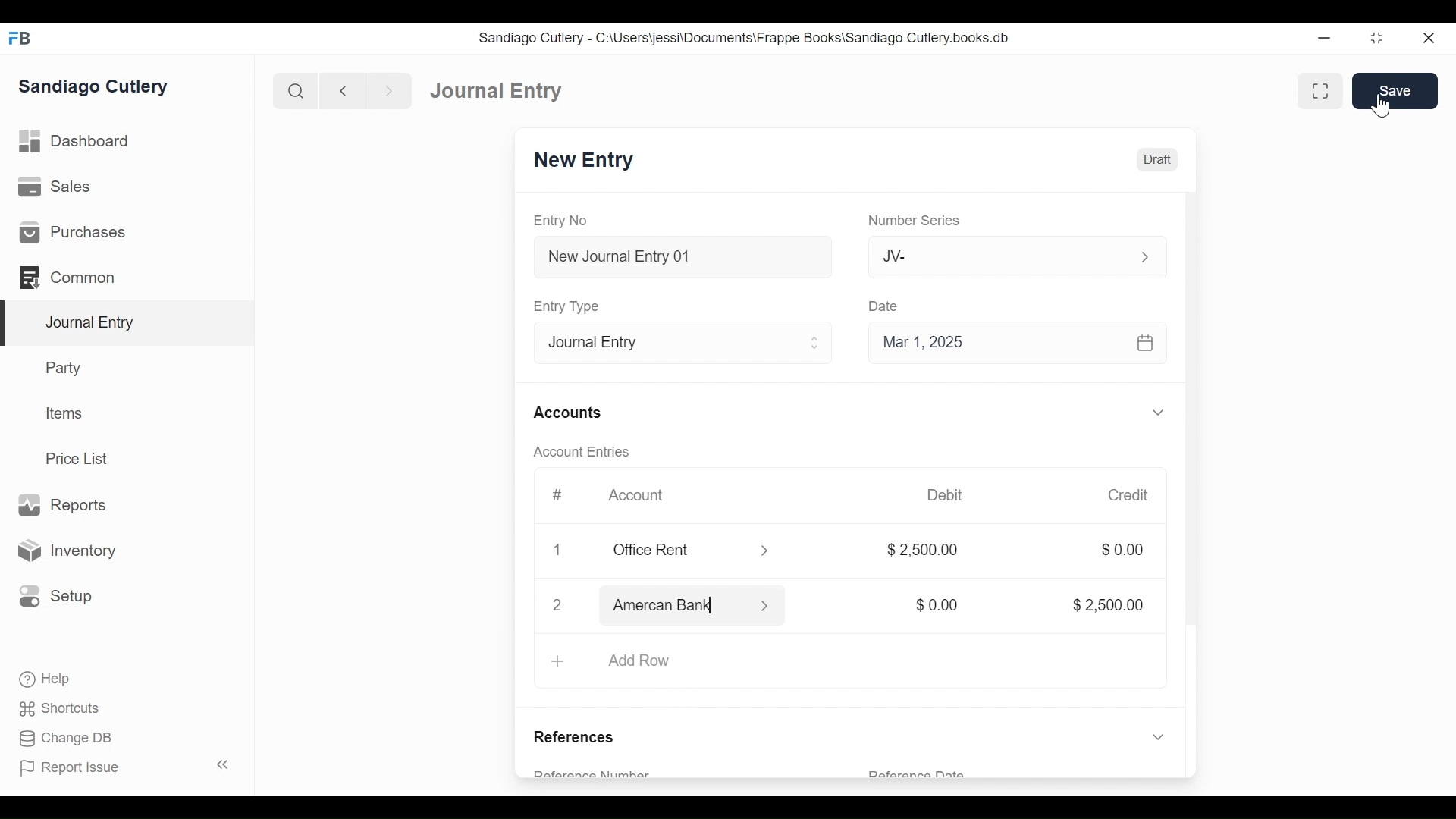  What do you see at coordinates (1190, 426) in the screenshot?
I see `scrollbar` at bounding box center [1190, 426].